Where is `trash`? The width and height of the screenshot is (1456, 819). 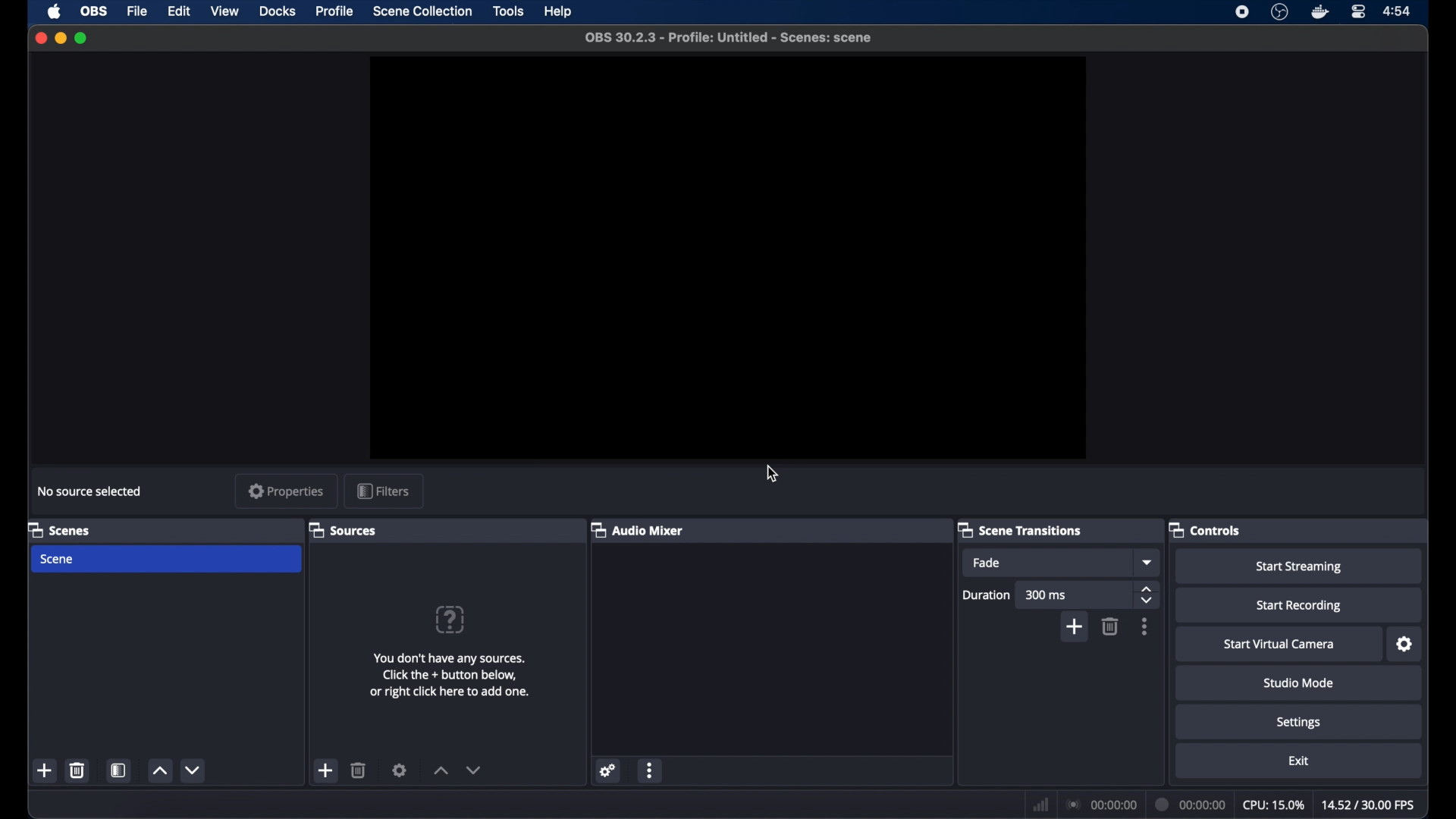 trash is located at coordinates (77, 770).